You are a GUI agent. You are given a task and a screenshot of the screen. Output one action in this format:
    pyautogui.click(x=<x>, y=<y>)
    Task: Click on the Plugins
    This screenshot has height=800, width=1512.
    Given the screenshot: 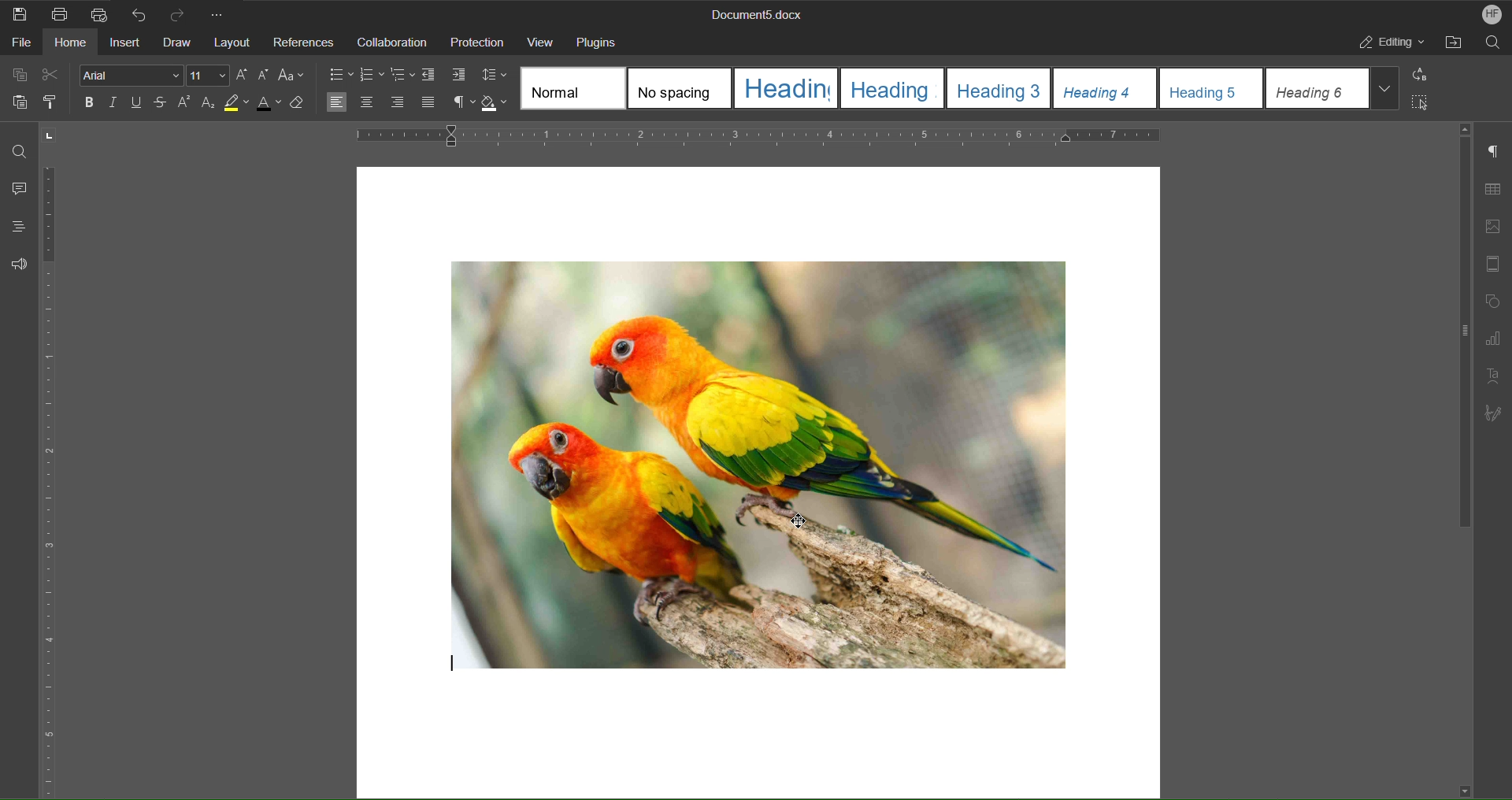 What is the action you would take?
    pyautogui.click(x=602, y=41)
    